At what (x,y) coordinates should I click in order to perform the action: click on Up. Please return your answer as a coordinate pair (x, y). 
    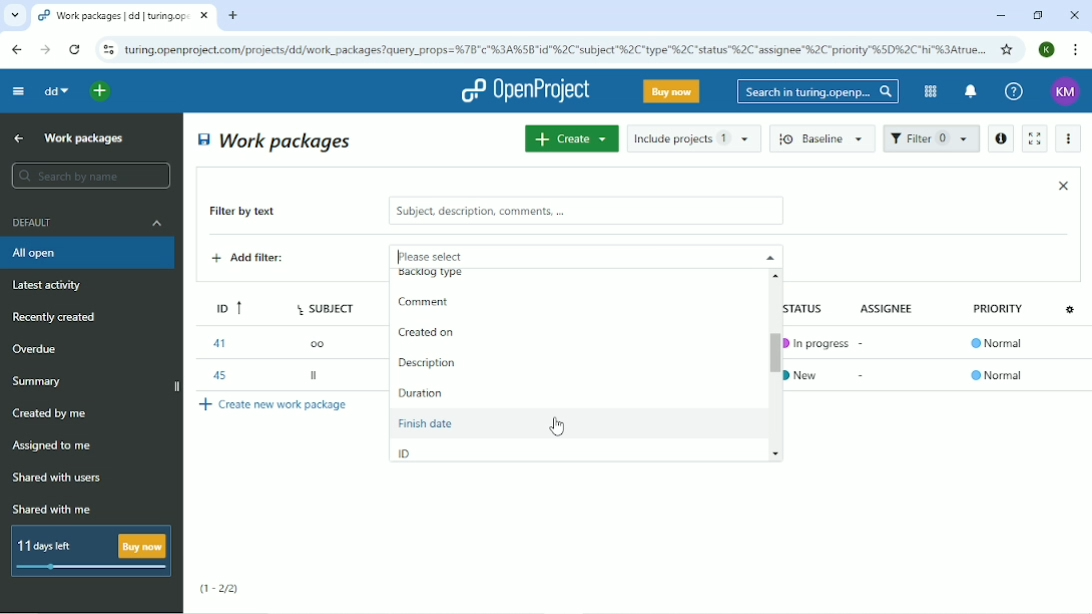
    Looking at the image, I should click on (16, 139).